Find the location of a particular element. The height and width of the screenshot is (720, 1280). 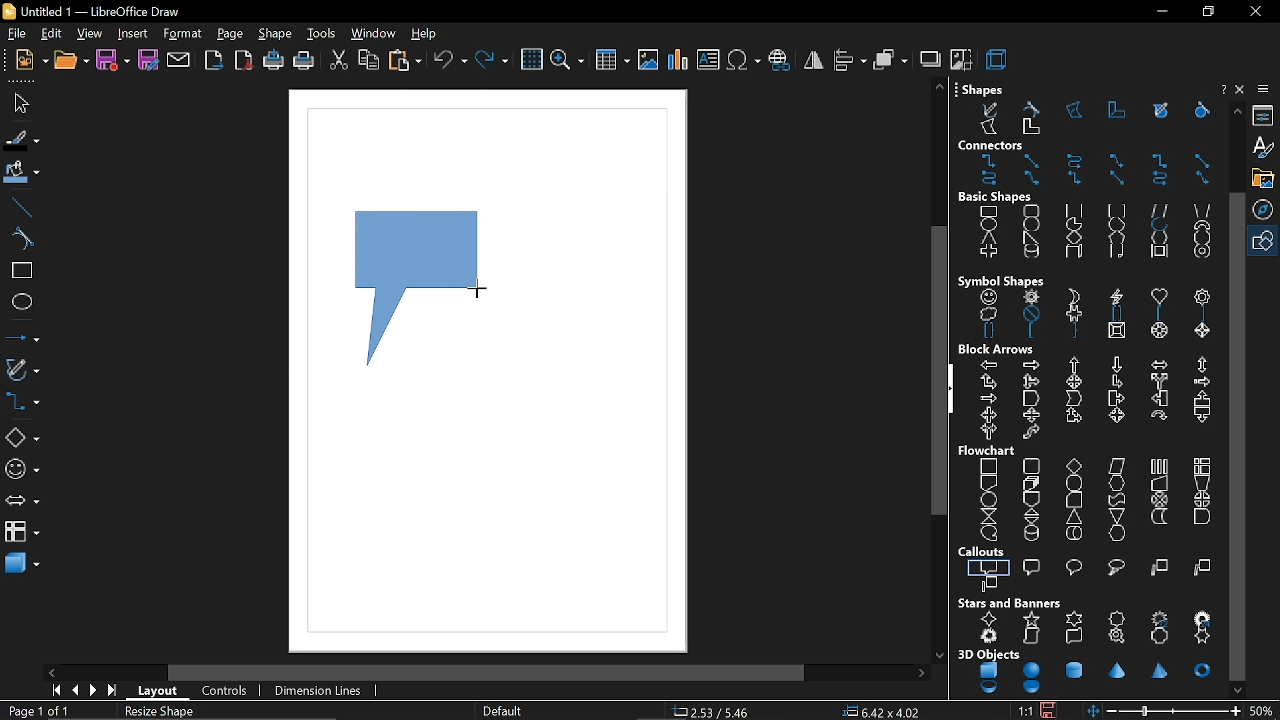

connector is located at coordinates (987, 499).